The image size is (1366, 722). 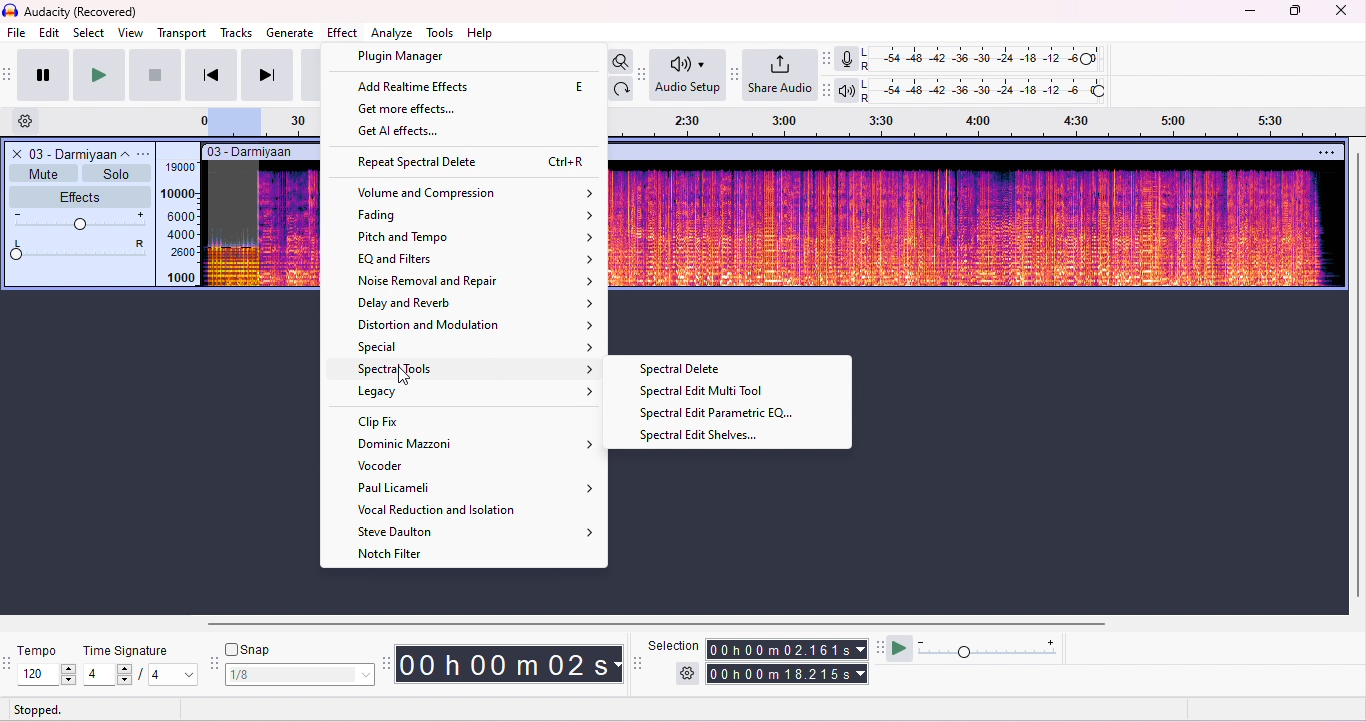 What do you see at coordinates (441, 509) in the screenshot?
I see `vocal reduction and isolation` at bounding box center [441, 509].